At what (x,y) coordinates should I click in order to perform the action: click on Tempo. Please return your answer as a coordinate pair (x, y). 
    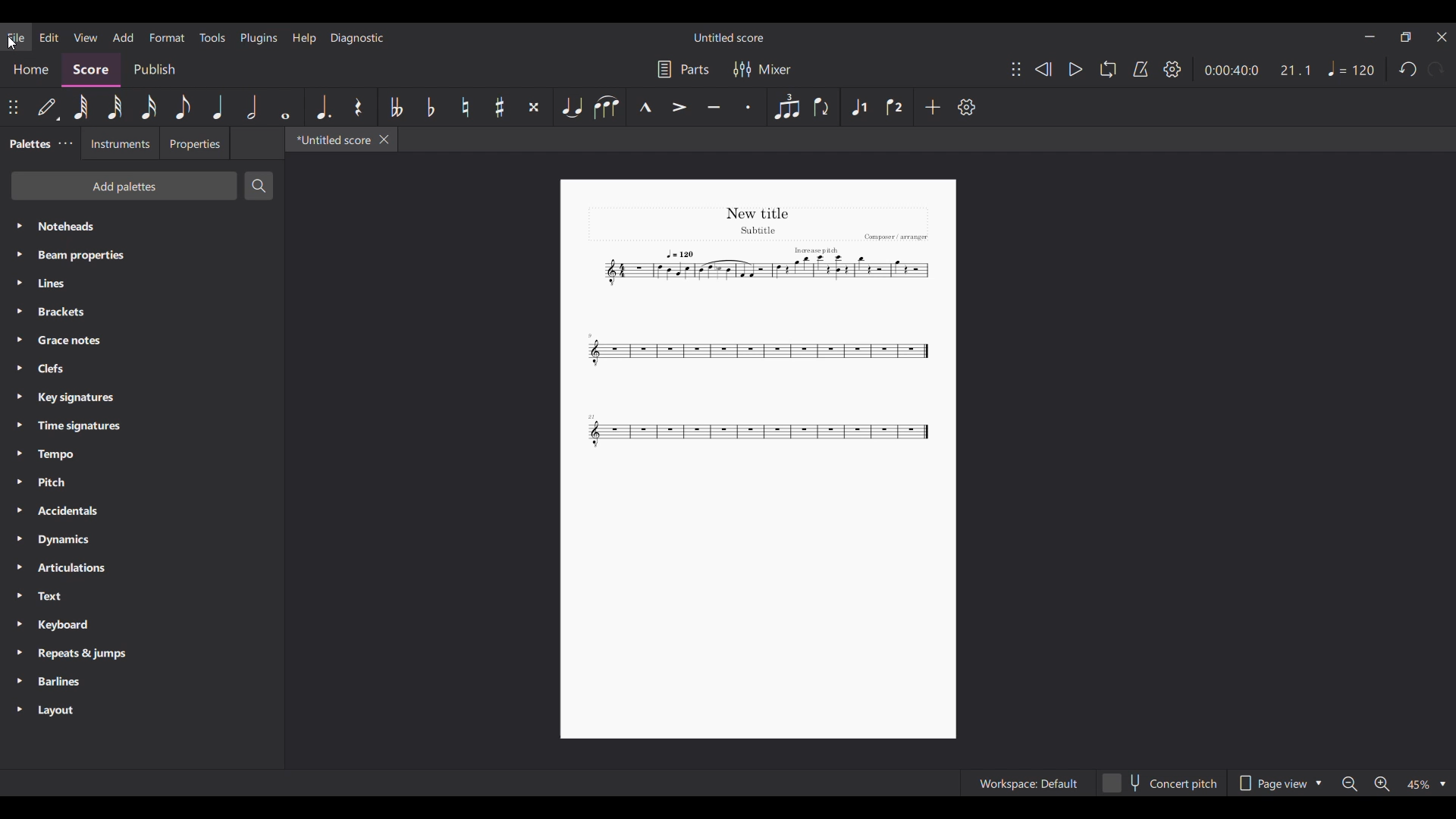
    Looking at the image, I should click on (142, 454).